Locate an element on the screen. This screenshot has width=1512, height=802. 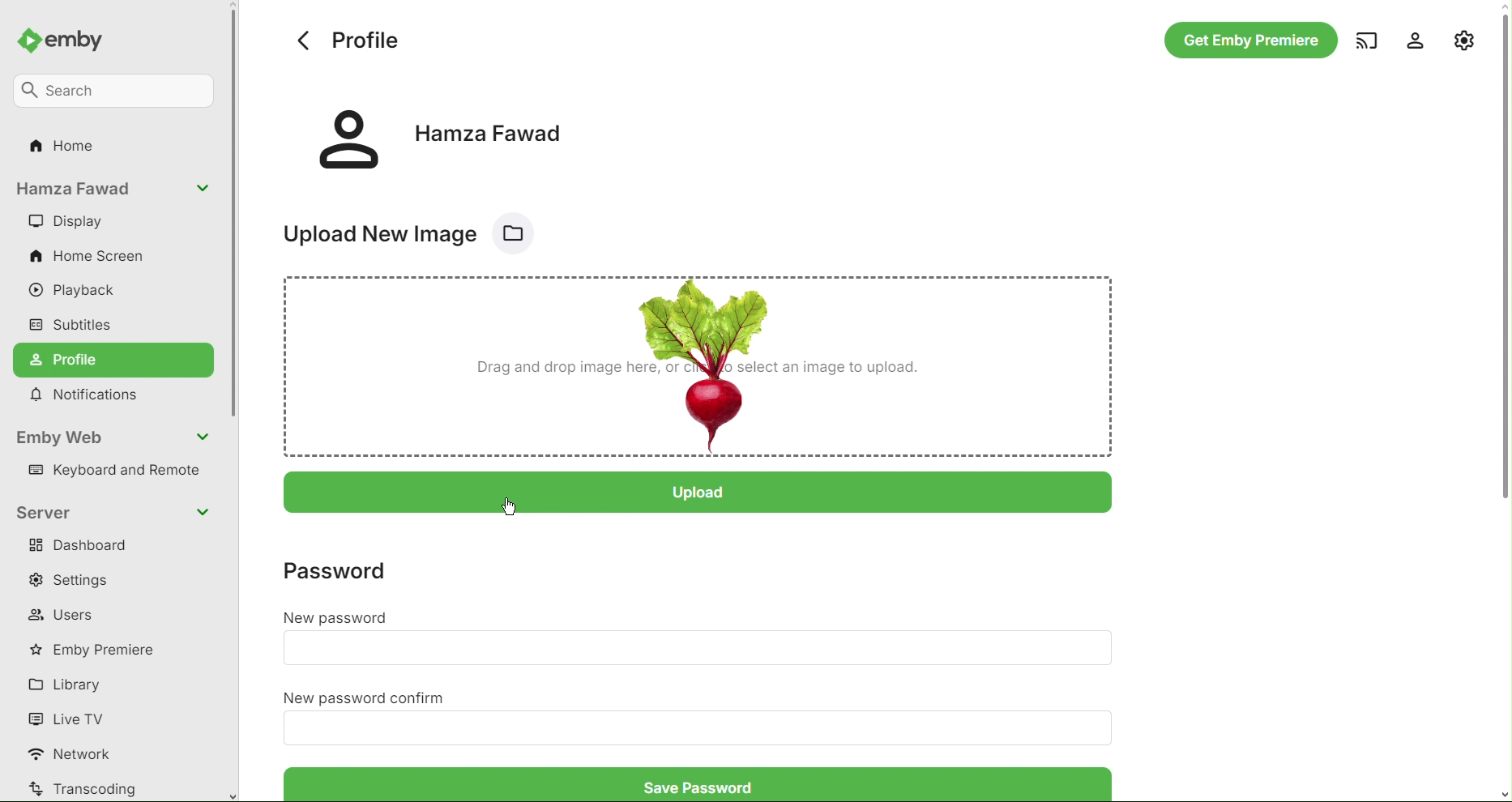
Network is located at coordinates (77, 755).